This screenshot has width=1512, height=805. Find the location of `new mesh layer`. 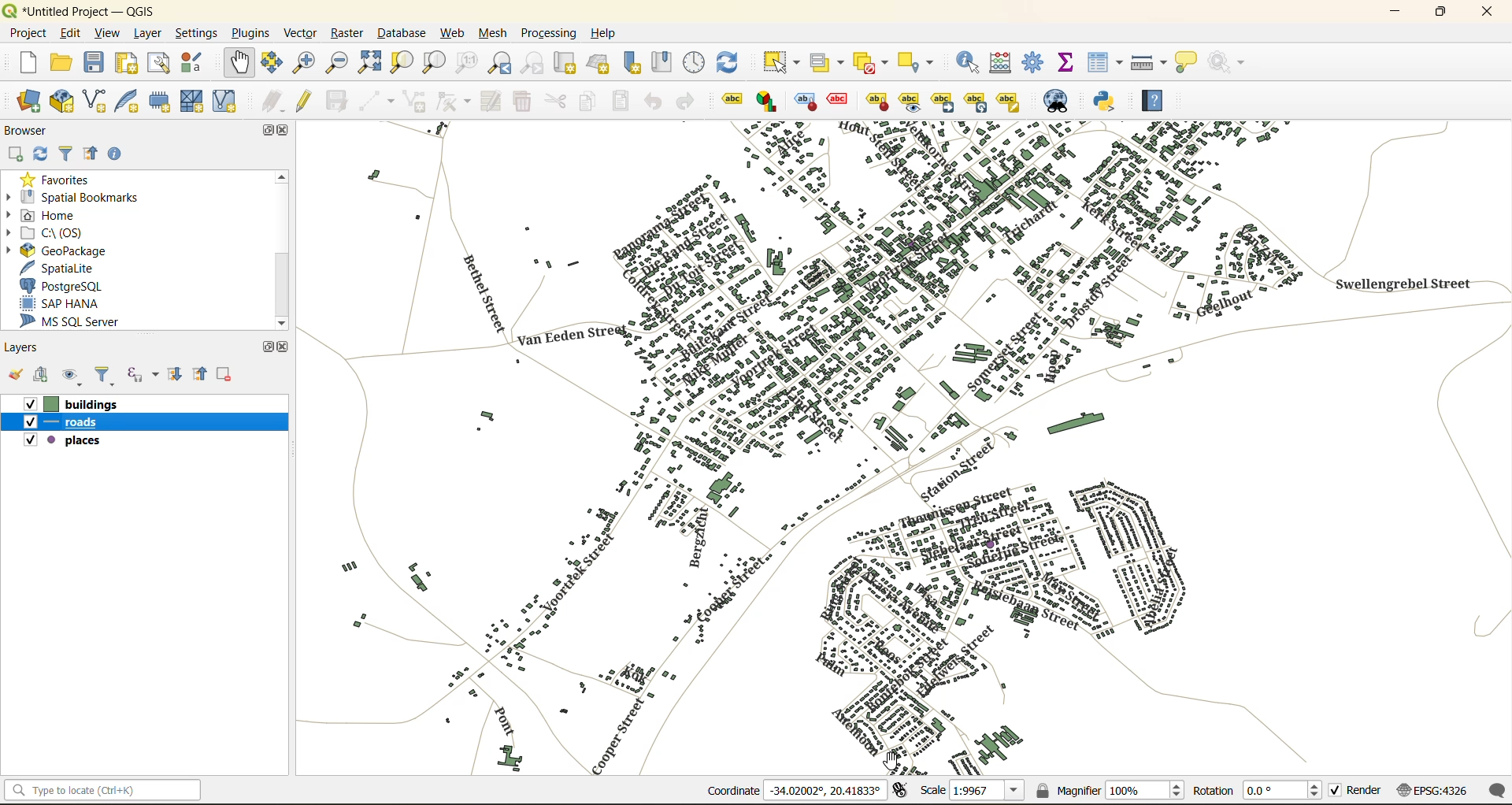

new mesh layer is located at coordinates (190, 102).